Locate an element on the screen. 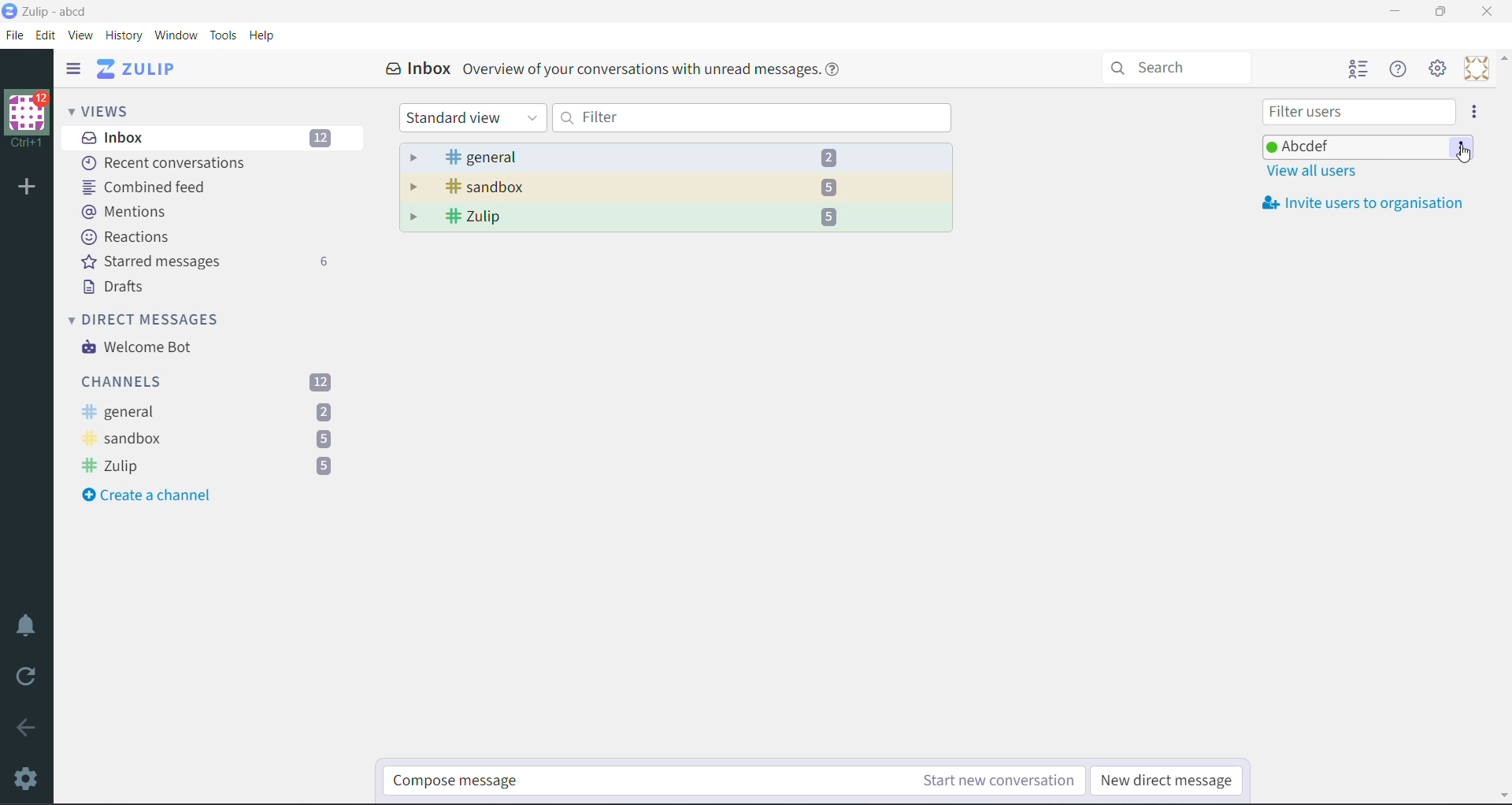 This screenshot has width=1512, height=805. general -unread messages count is located at coordinates (209, 412).